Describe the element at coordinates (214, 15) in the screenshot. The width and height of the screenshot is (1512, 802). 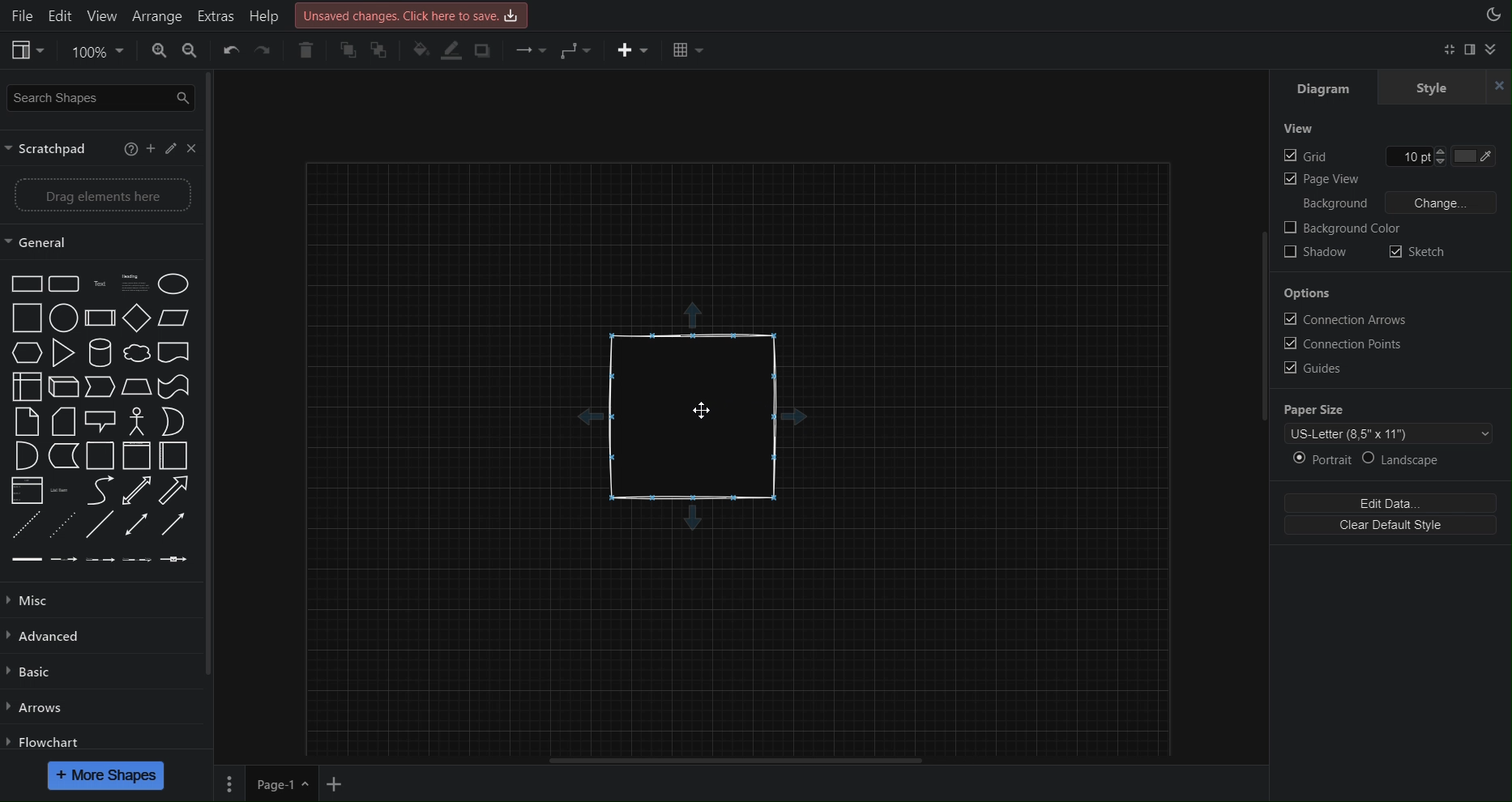
I see `Extras` at that location.